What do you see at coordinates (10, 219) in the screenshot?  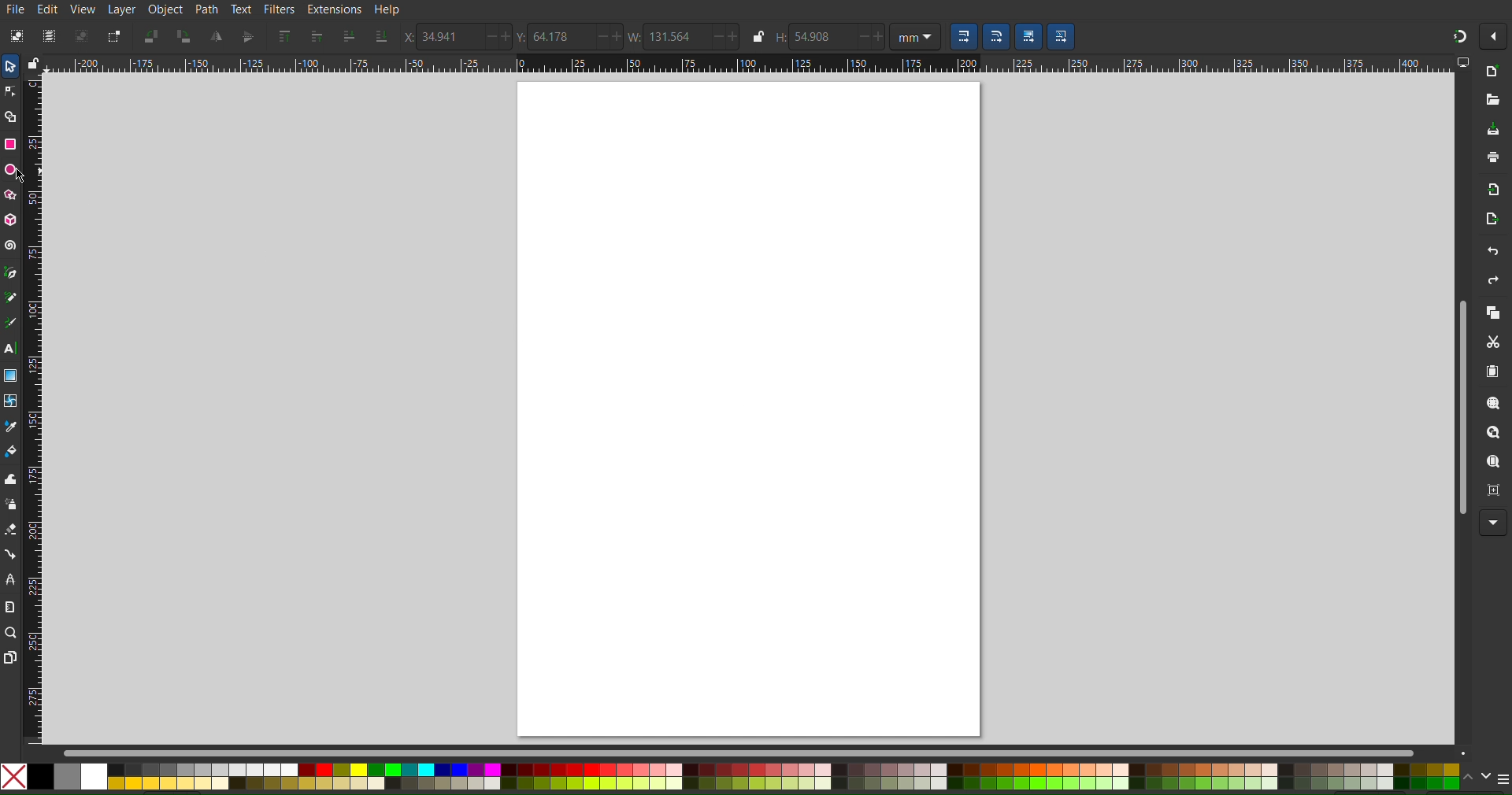 I see `3D Box Tool` at bounding box center [10, 219].